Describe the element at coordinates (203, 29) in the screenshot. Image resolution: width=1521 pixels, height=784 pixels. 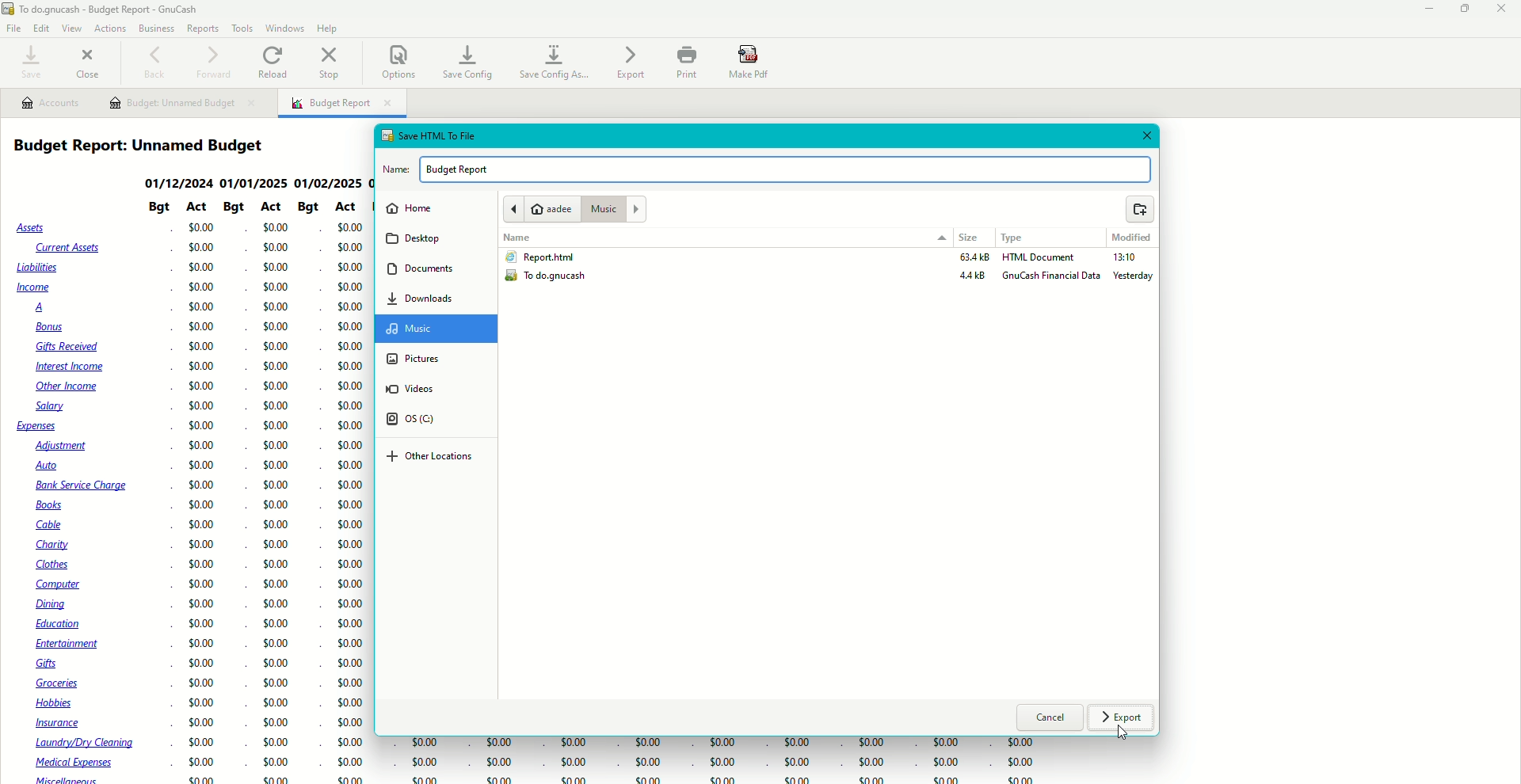
I see `Reports` at that location.